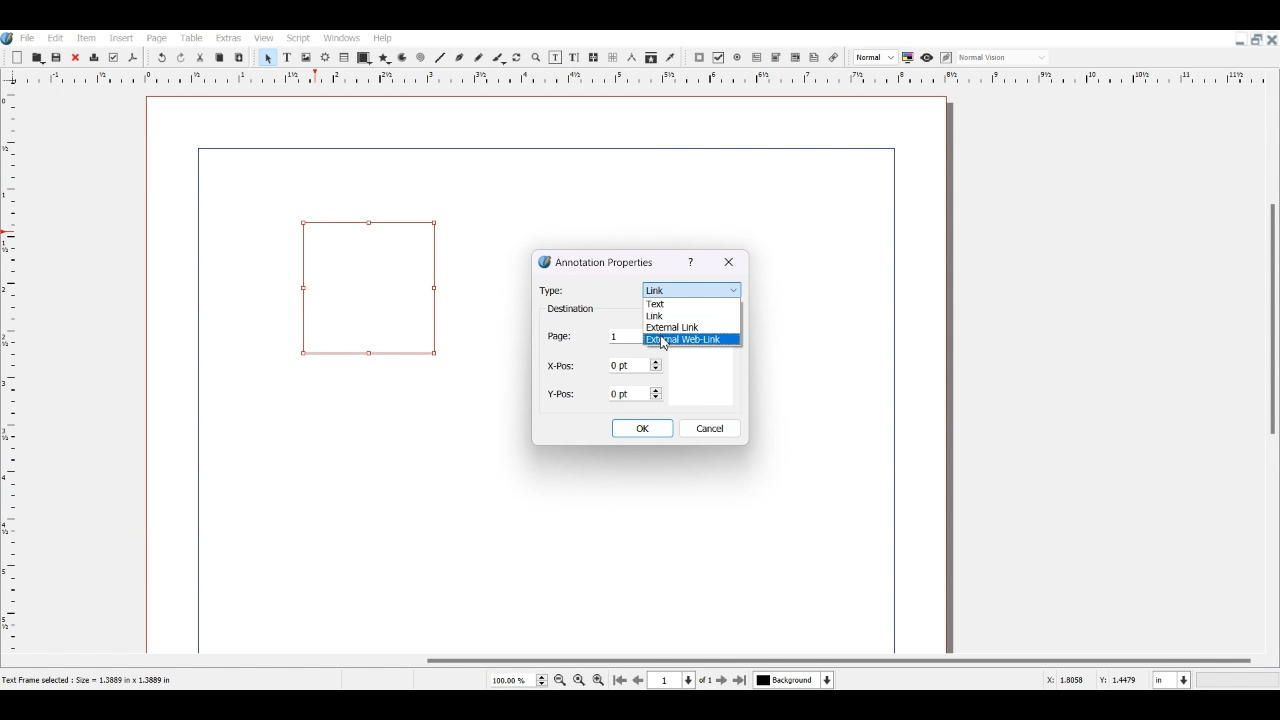  I want to click on Annotation Properties, so click(598, 261).